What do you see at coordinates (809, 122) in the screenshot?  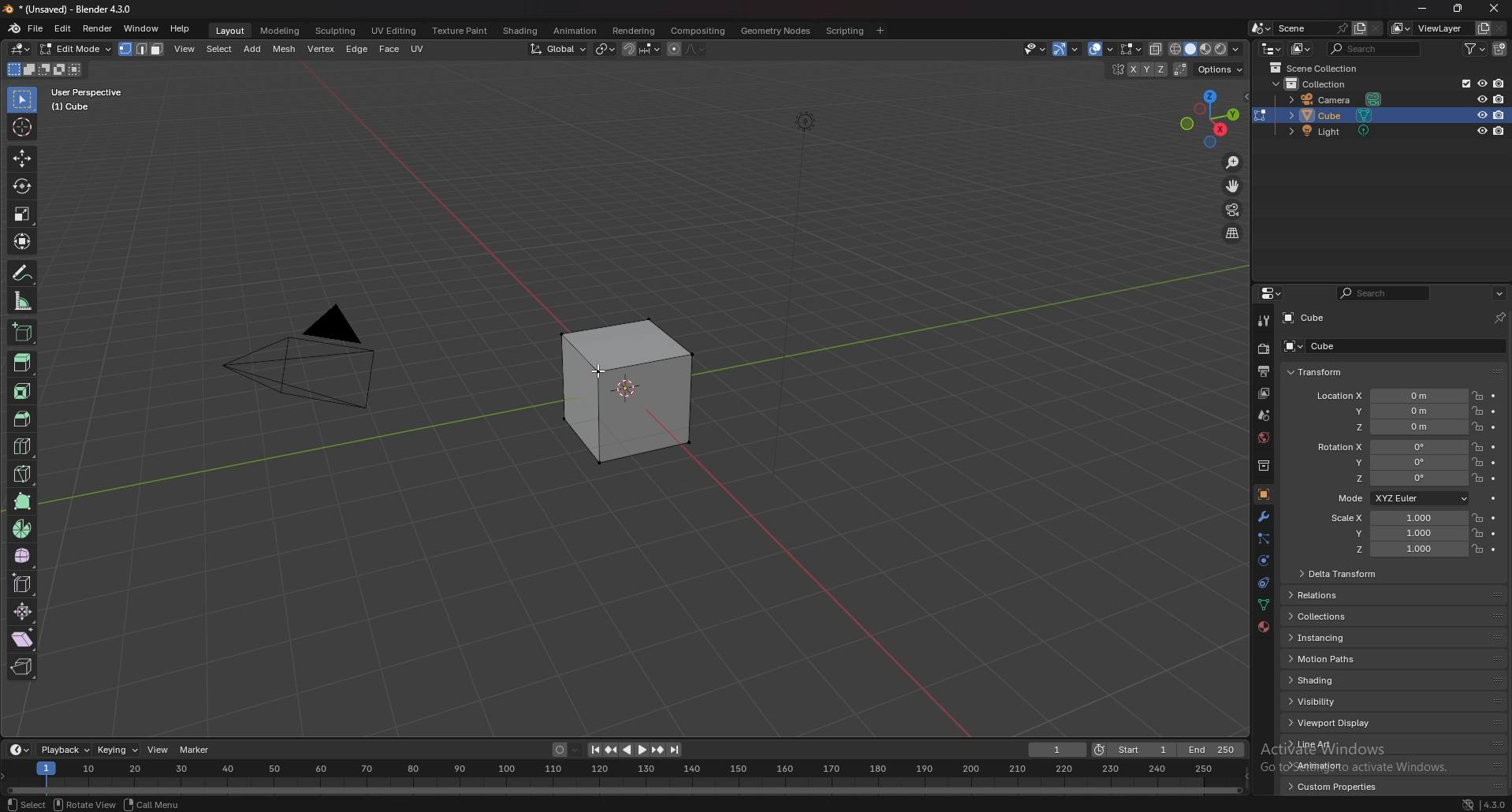 I see `lighting` at bounding box center [809, 122].